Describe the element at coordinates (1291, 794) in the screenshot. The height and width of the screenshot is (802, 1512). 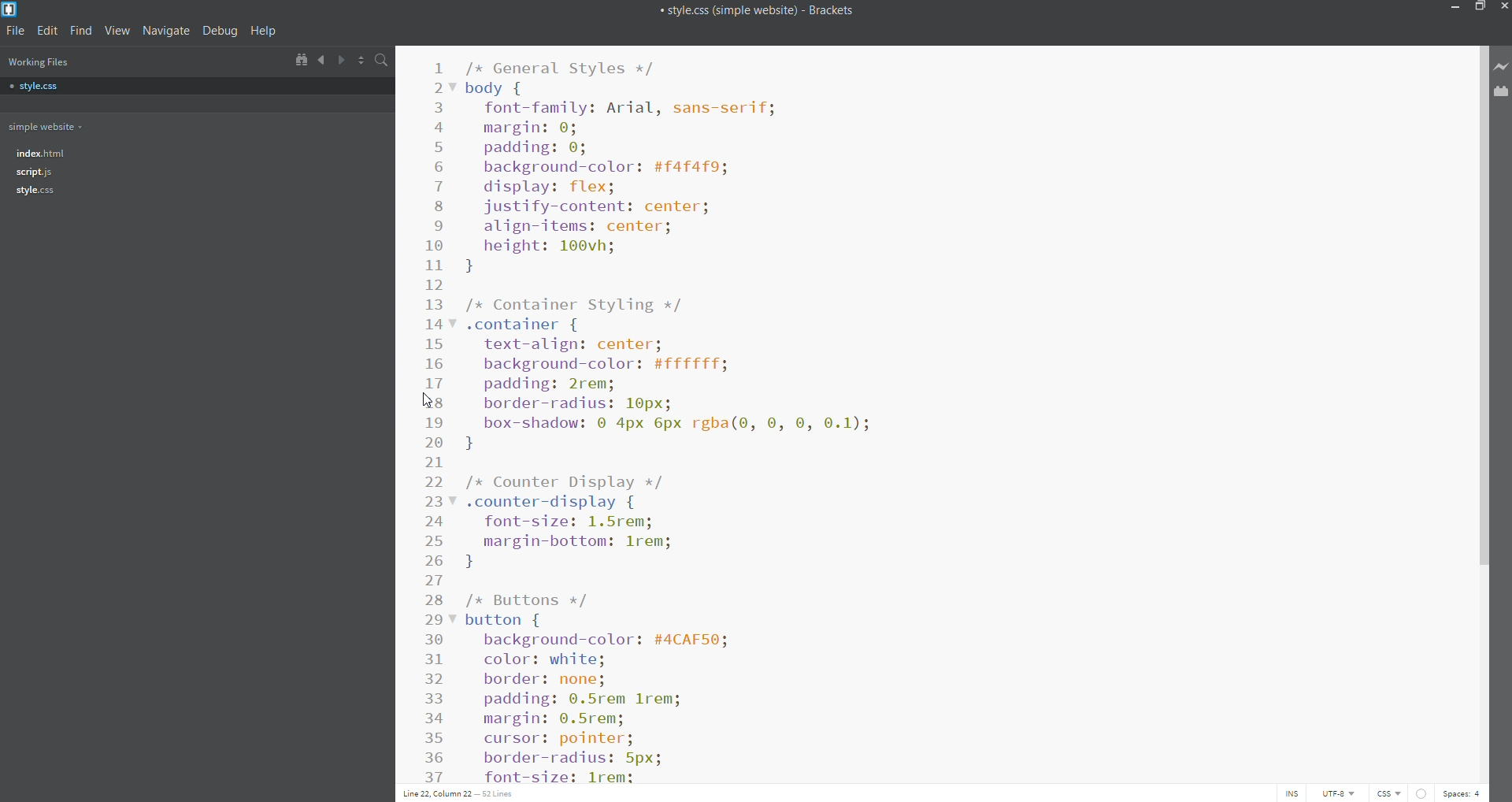
I see `toggle cursor` at that location.